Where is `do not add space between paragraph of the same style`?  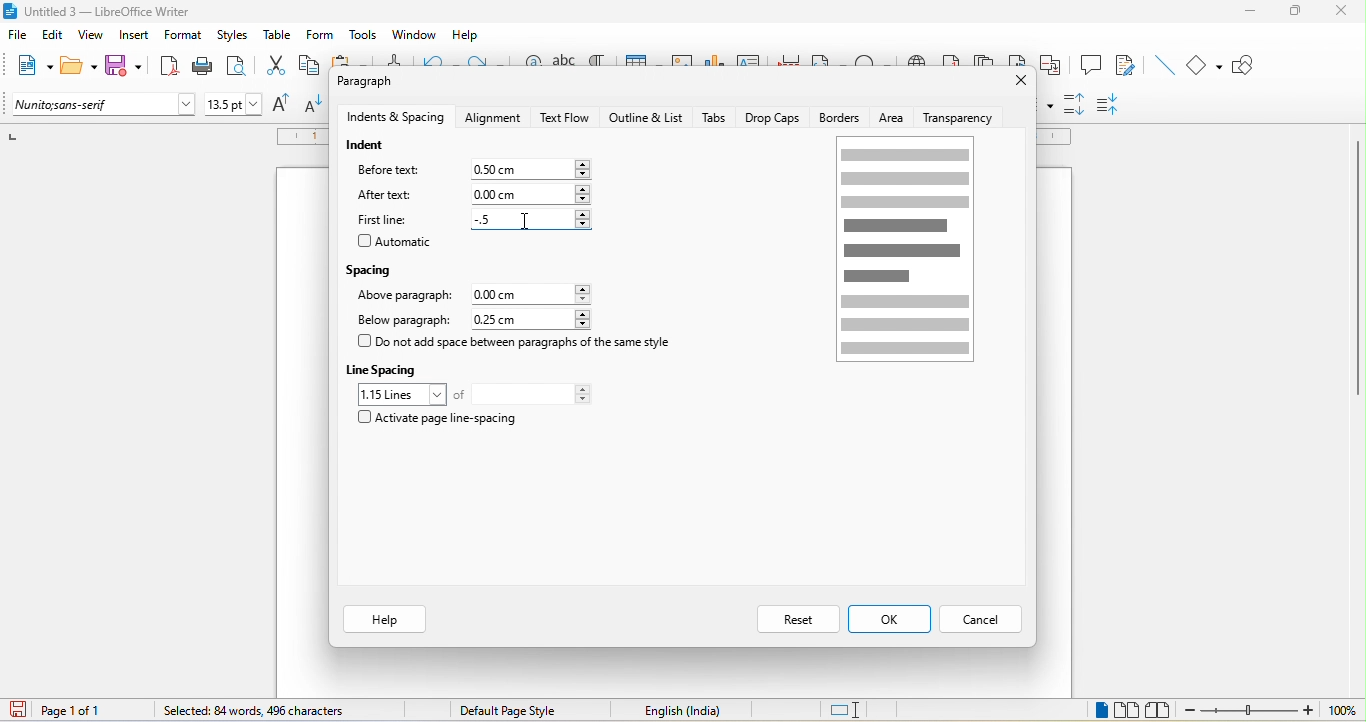
do not add space between paragraph of the same style is located at coordinates (529, 343).